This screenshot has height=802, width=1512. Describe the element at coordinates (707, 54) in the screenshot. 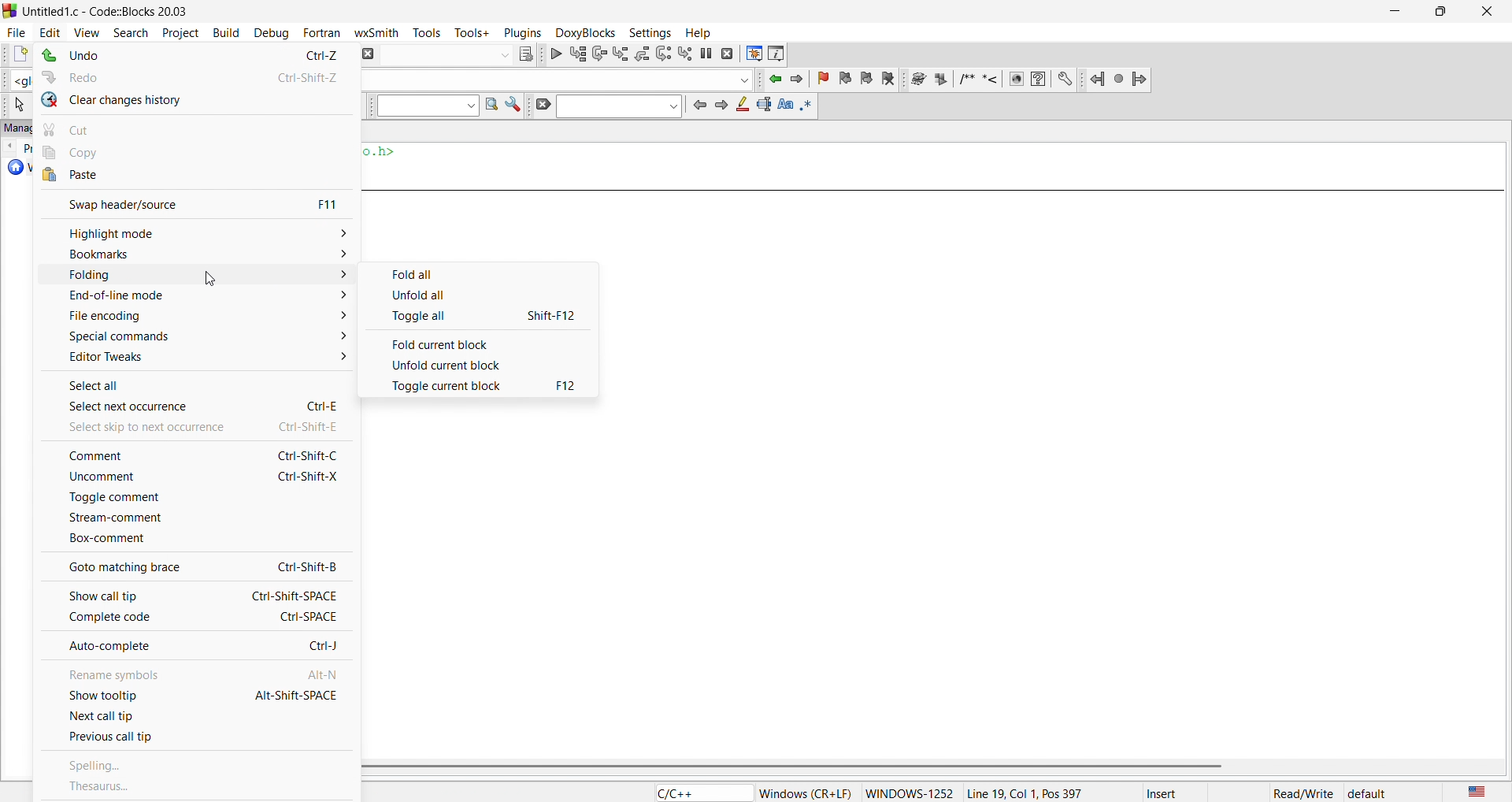

I see `break debugging` at that location.